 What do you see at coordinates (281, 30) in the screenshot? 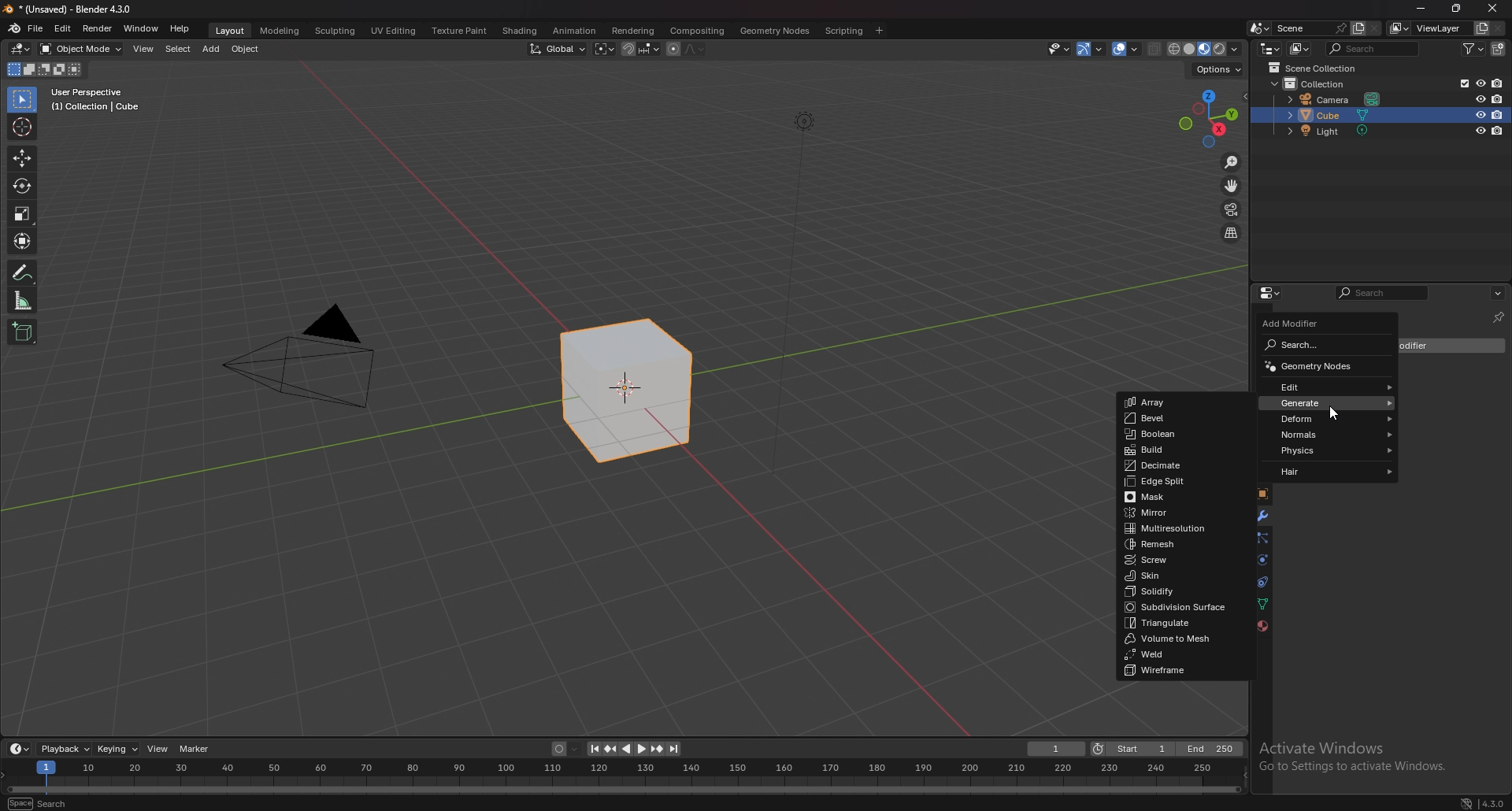
I see `modeling` at bounding box center [281, 30].